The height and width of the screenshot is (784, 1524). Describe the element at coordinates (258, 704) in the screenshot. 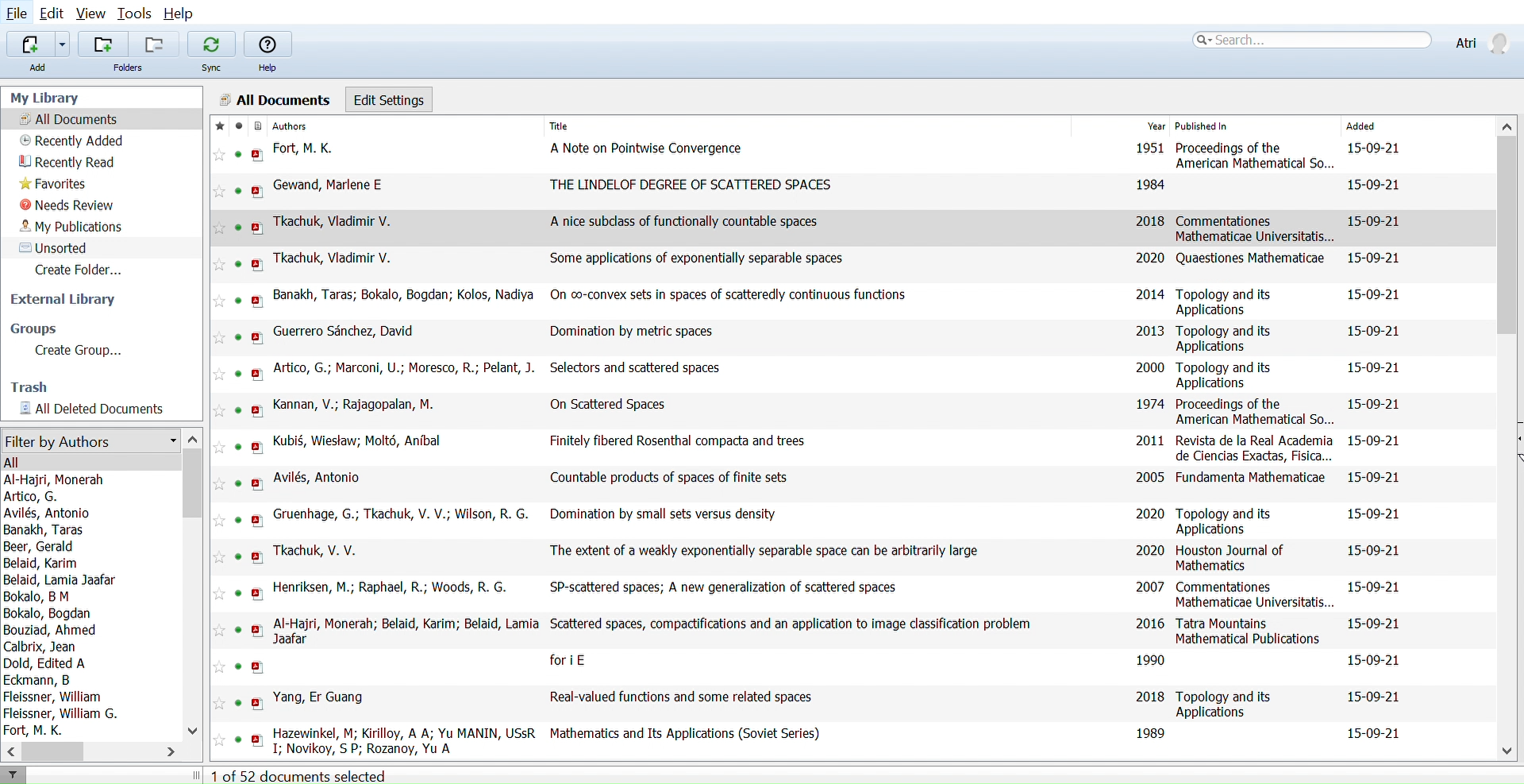

I see `open PDF` at that location.